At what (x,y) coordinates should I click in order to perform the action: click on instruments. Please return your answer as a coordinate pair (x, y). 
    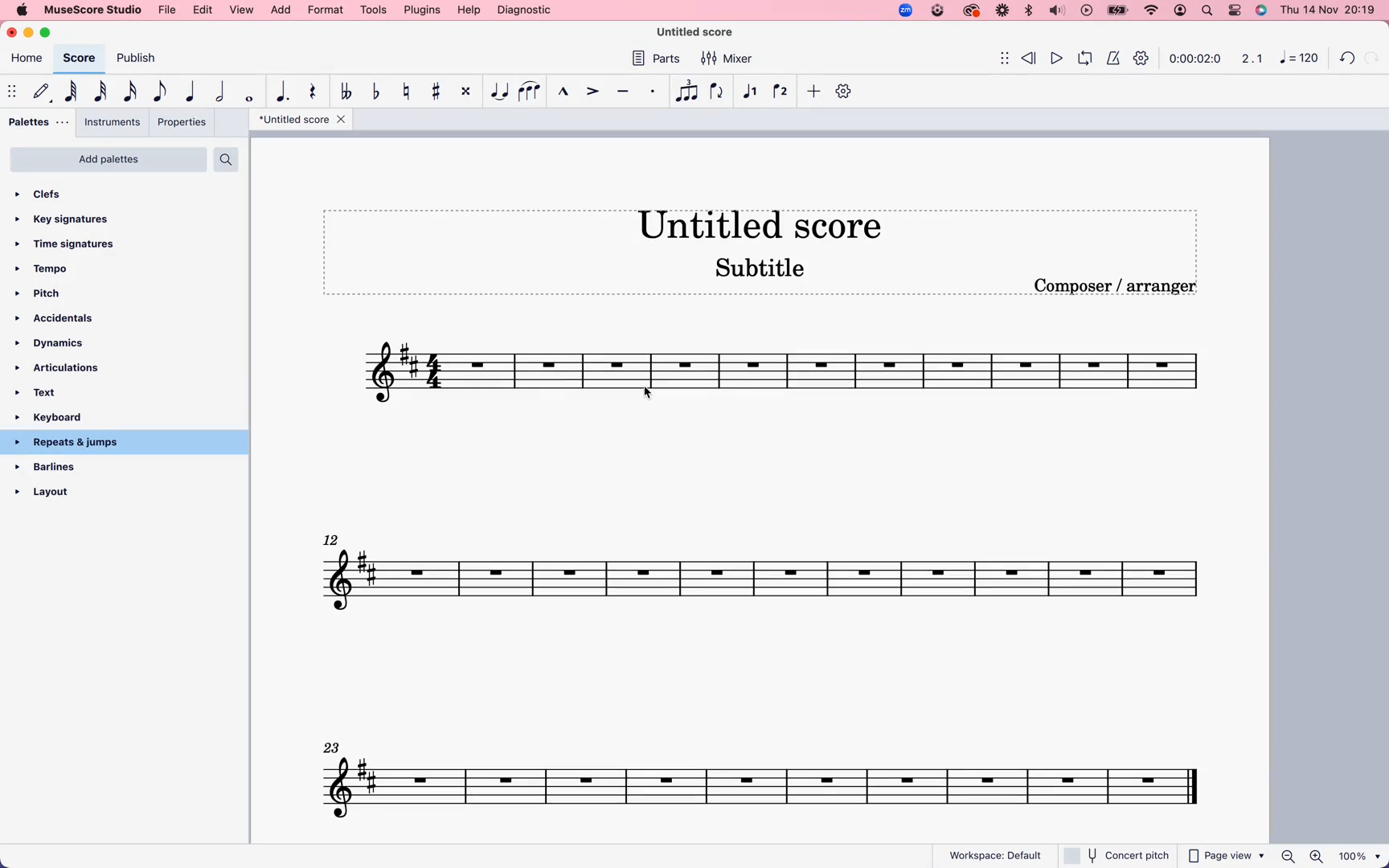
    Looking at the image, I should click on (113, 122).